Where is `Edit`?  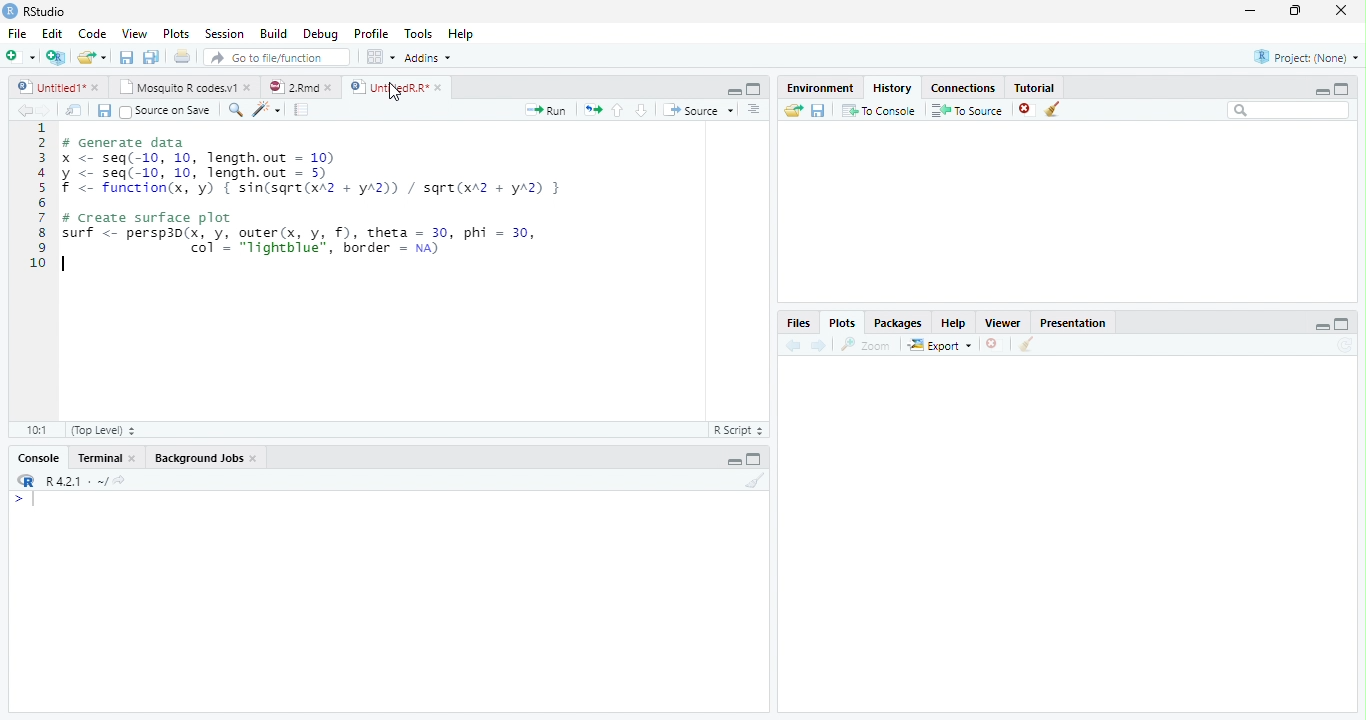 Edit is located at coordinates (51, 33).